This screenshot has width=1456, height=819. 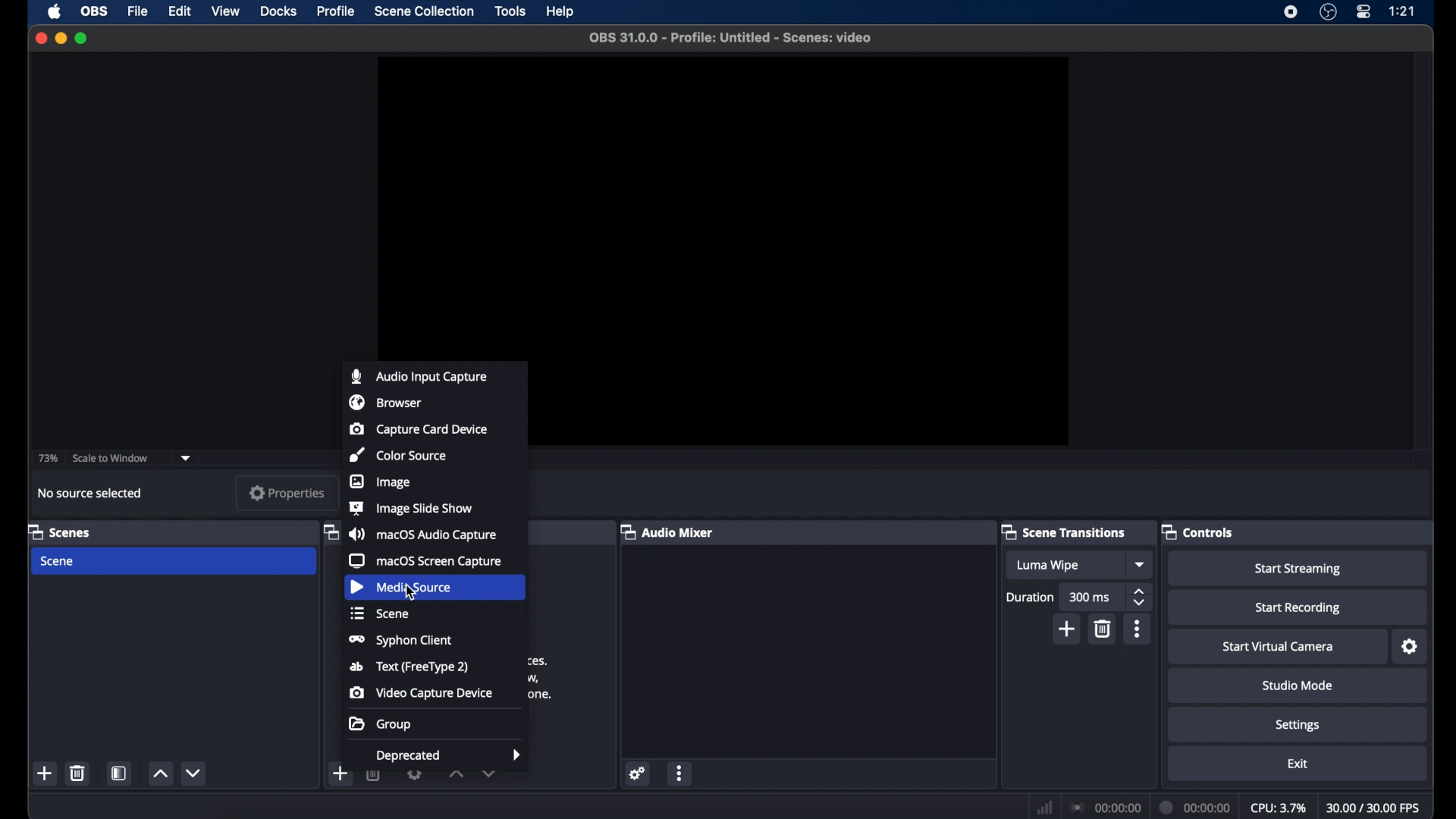 I want to click on fps, so click(x=1373, y=808).